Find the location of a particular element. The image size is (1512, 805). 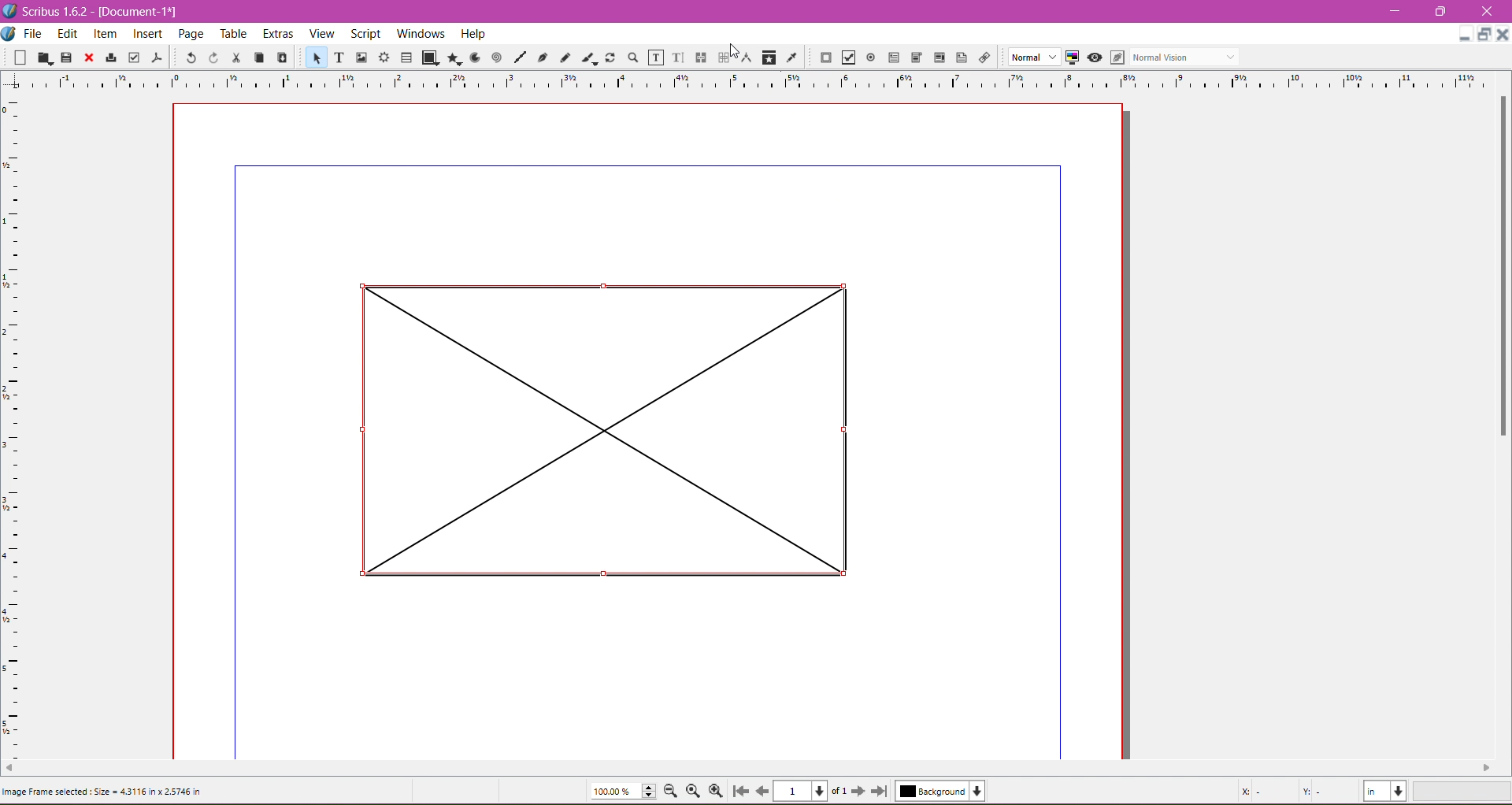

Application Logo is located at coordinates (9, 11).